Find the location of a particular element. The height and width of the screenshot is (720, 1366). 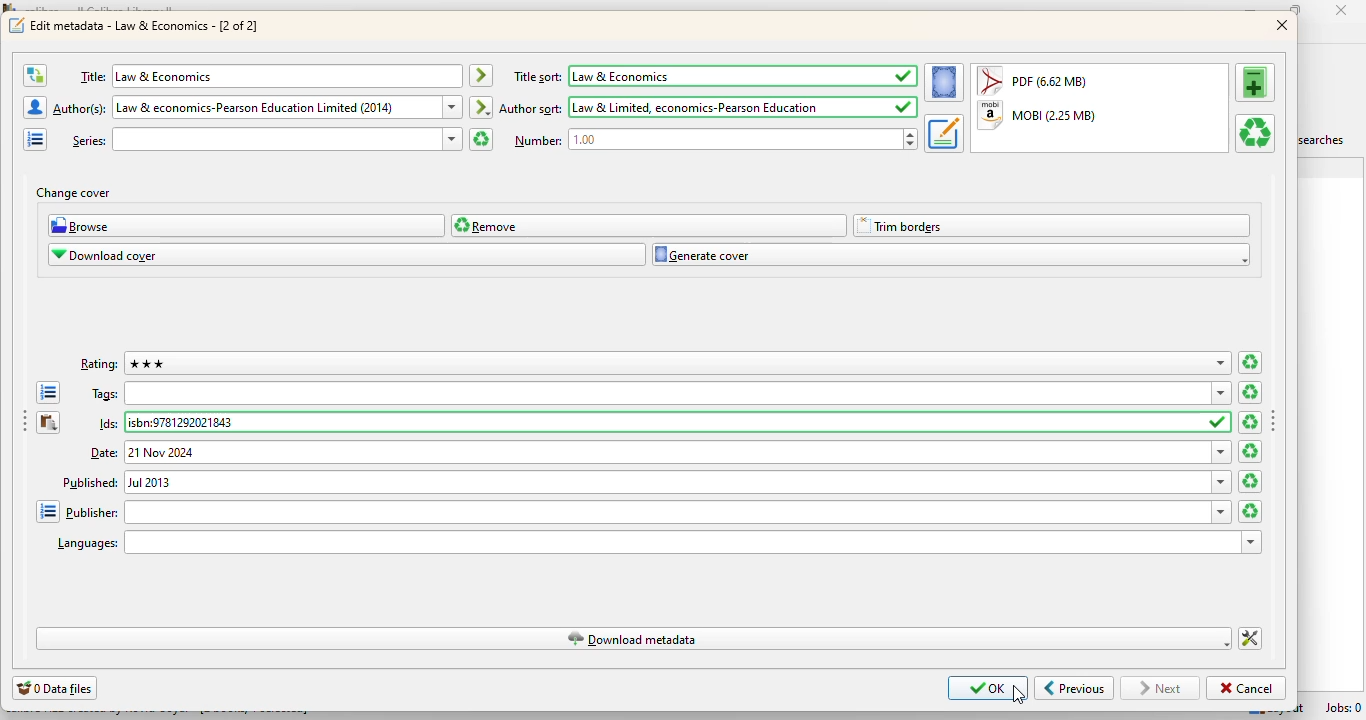

title: law & economics is located at coordinates (266, 76).